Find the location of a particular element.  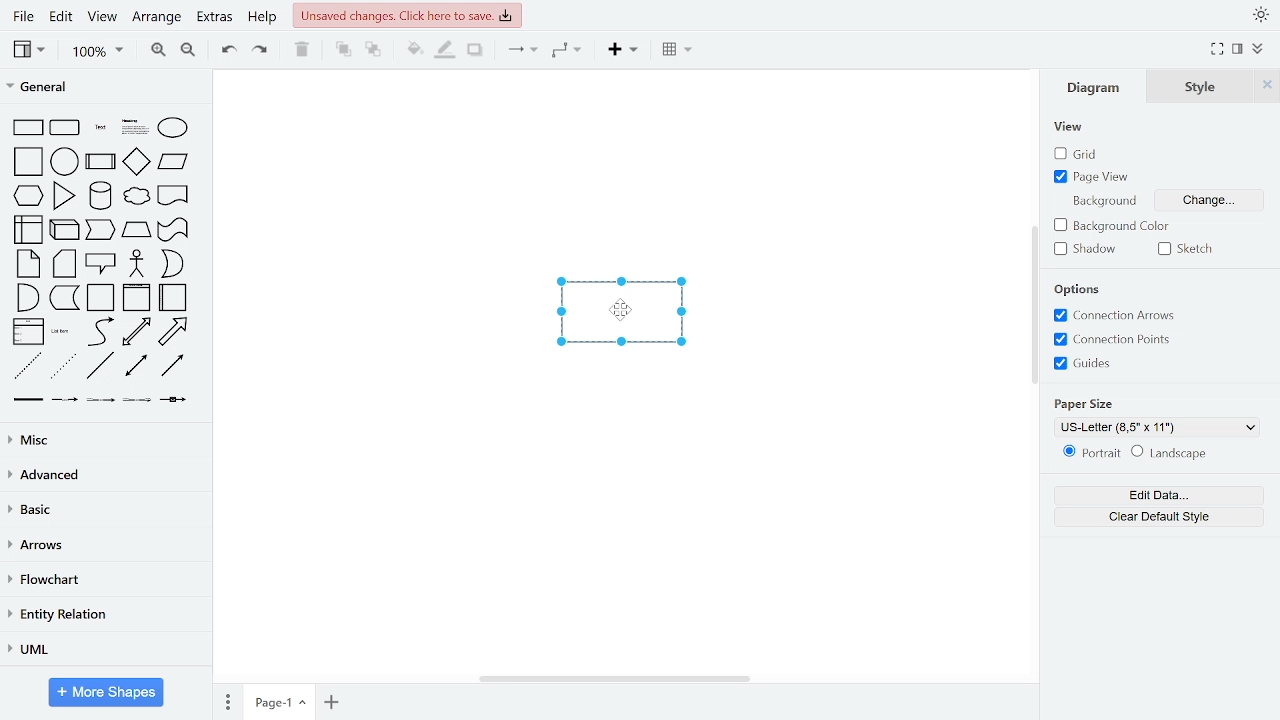

UML is located at coordinates (102, 649).